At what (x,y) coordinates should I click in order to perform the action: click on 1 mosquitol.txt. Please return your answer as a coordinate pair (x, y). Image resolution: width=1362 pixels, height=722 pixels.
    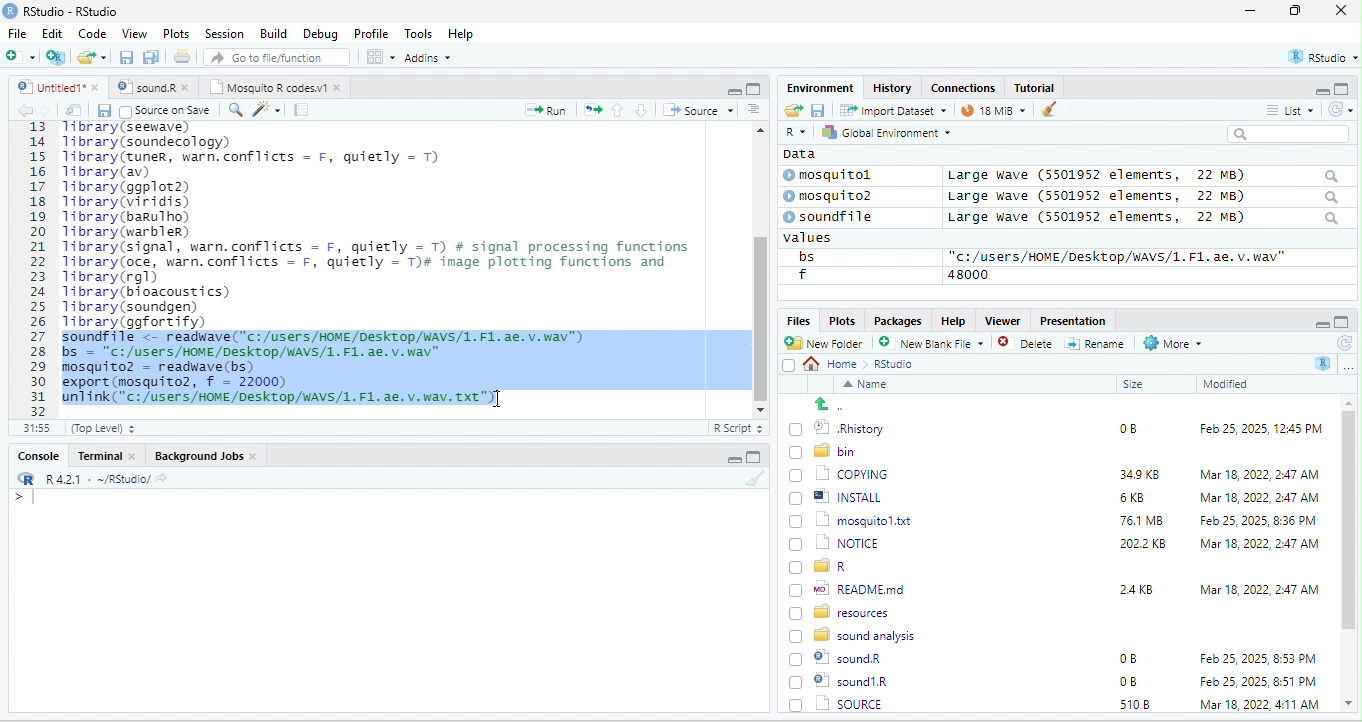
    Looking at the image, I should click on (844, 519).